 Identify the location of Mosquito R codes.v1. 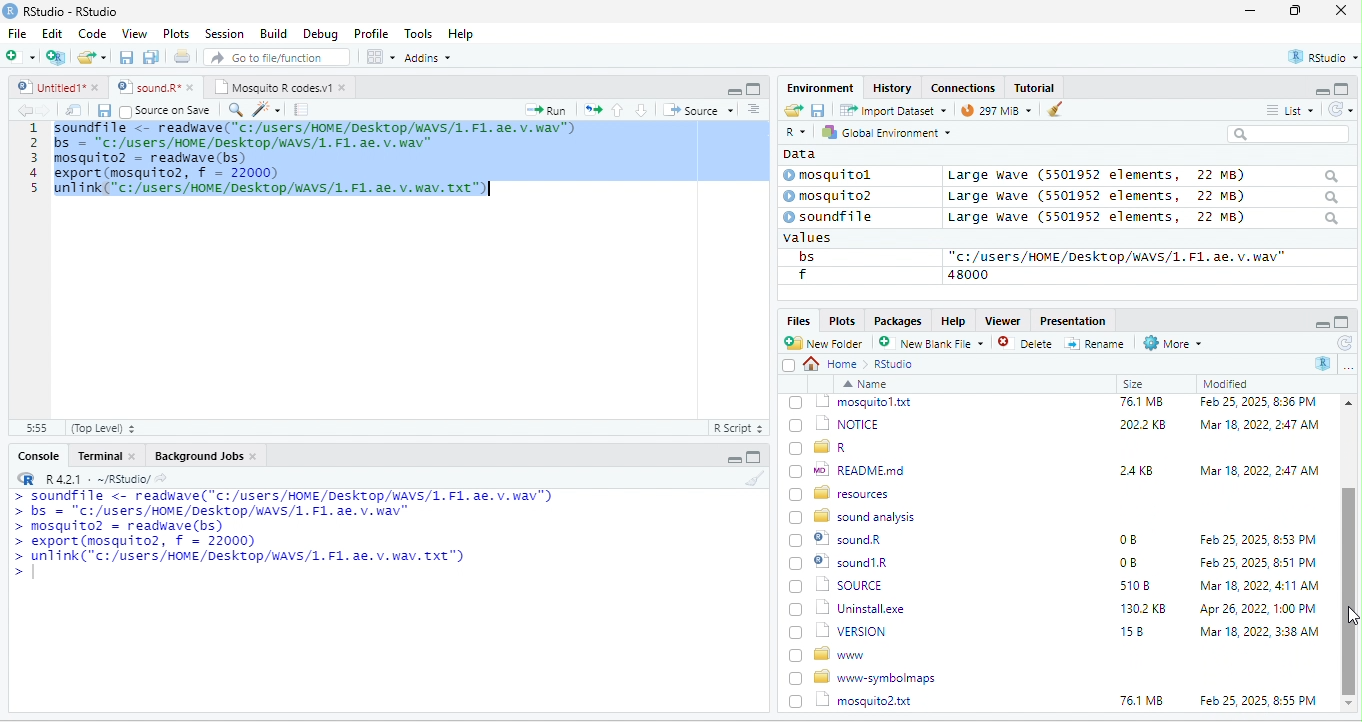
(276, 87).